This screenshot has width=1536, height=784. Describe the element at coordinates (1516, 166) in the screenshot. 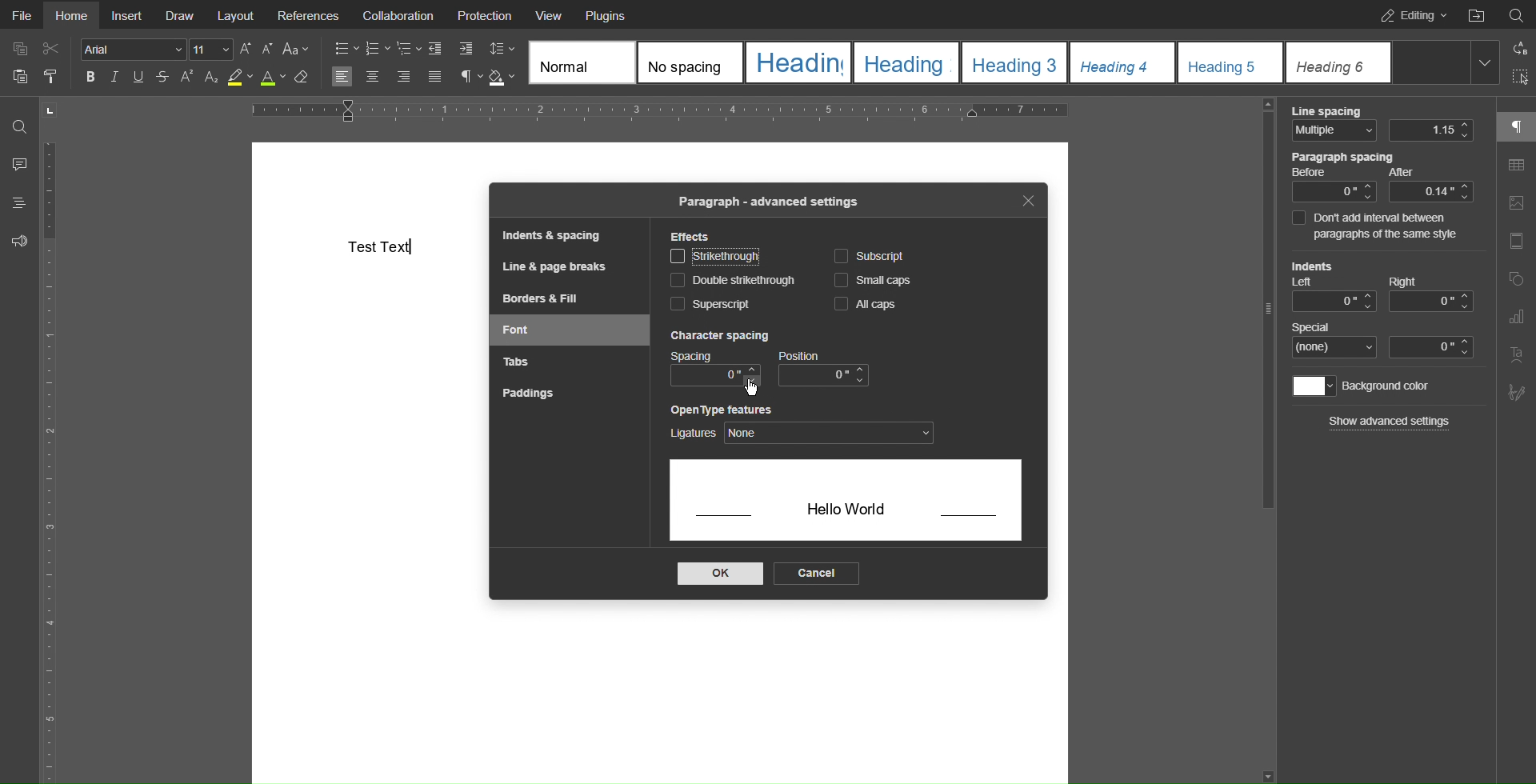

I see `Table Settings` at that location.